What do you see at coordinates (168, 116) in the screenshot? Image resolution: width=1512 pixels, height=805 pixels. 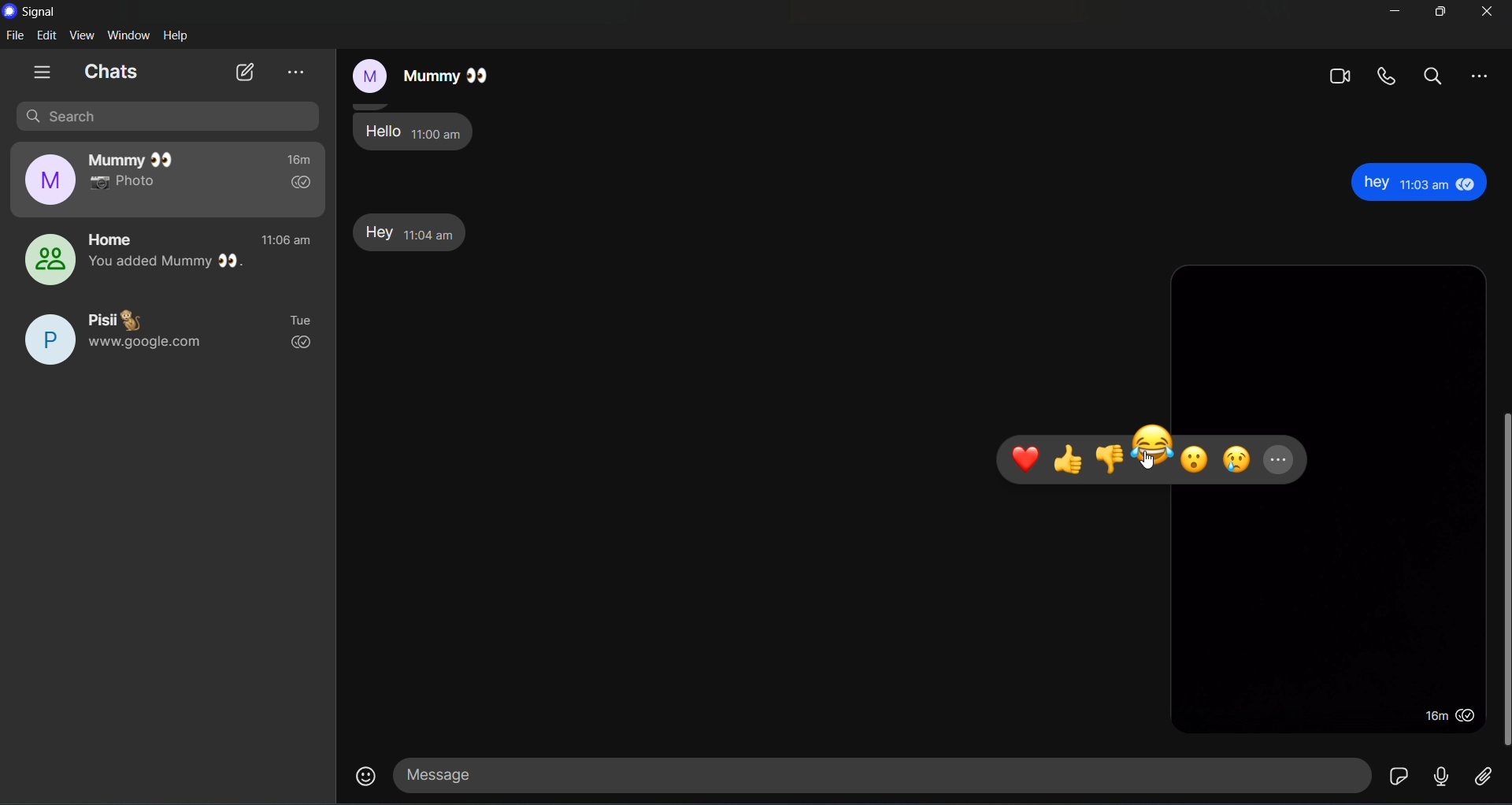 I see `search` at bounding box center [168, 116].